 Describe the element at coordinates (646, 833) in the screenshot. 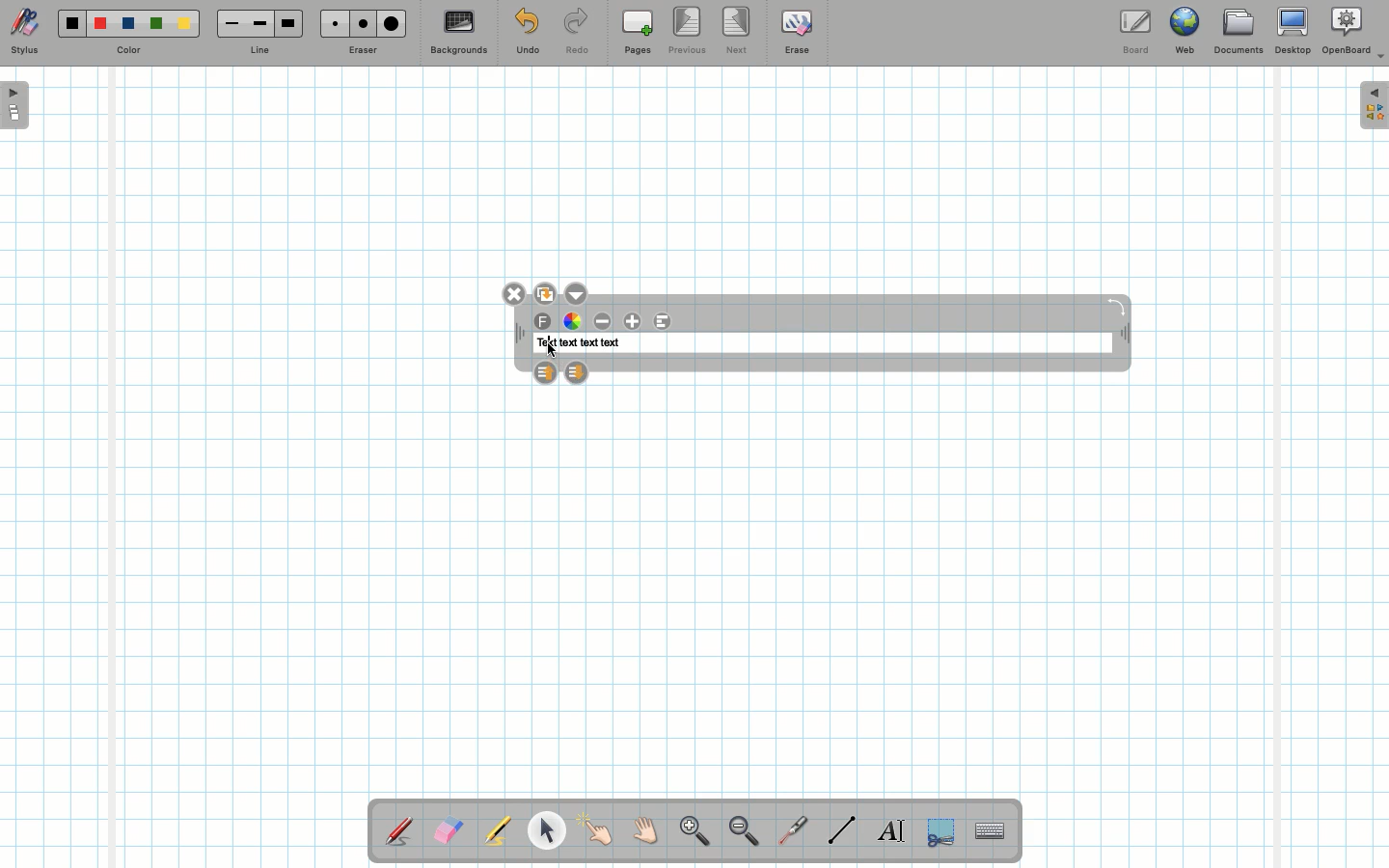

I see `Grab` at that location.